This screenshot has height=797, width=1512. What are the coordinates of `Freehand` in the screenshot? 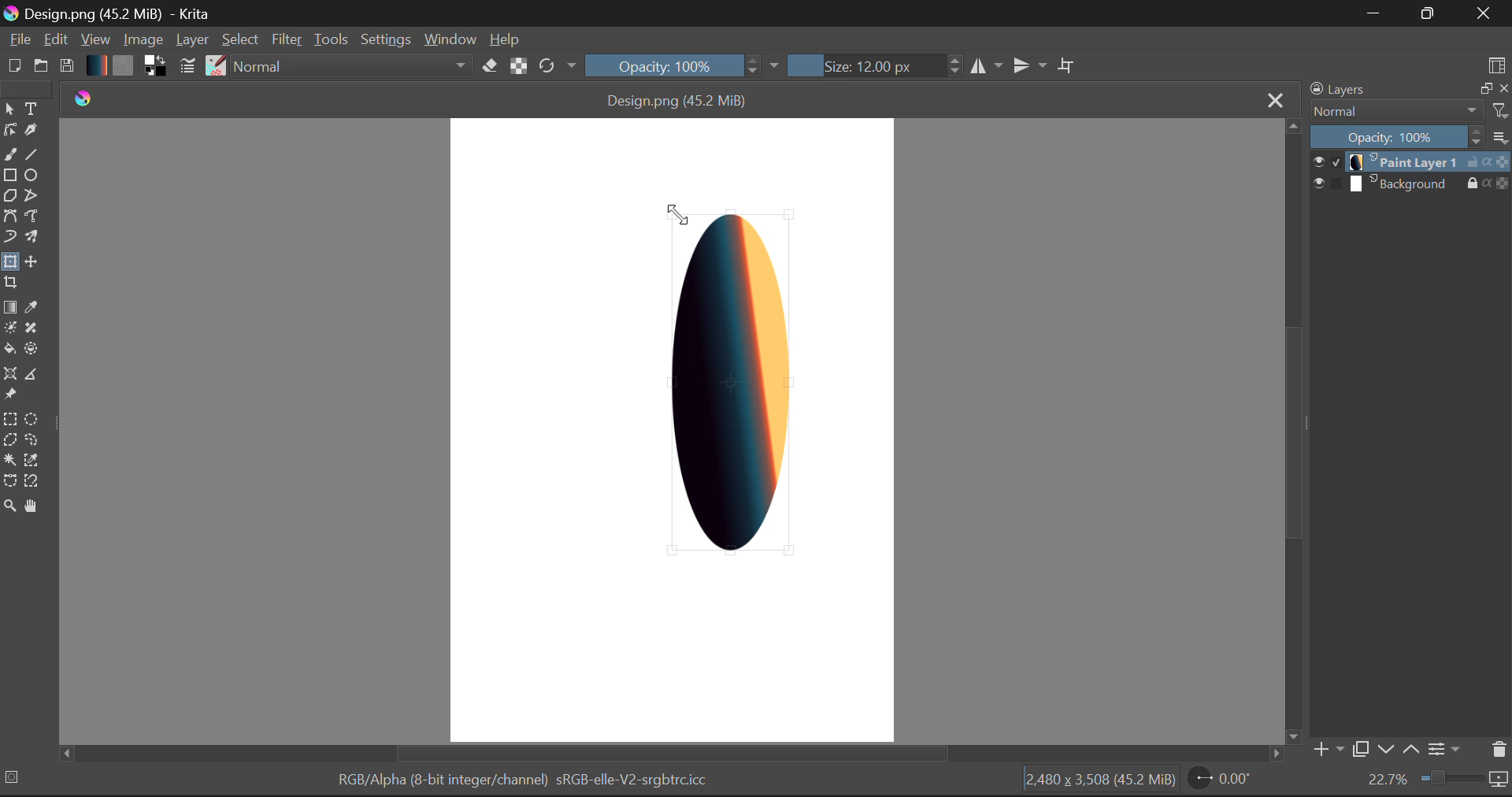 It's located at (10, 154).